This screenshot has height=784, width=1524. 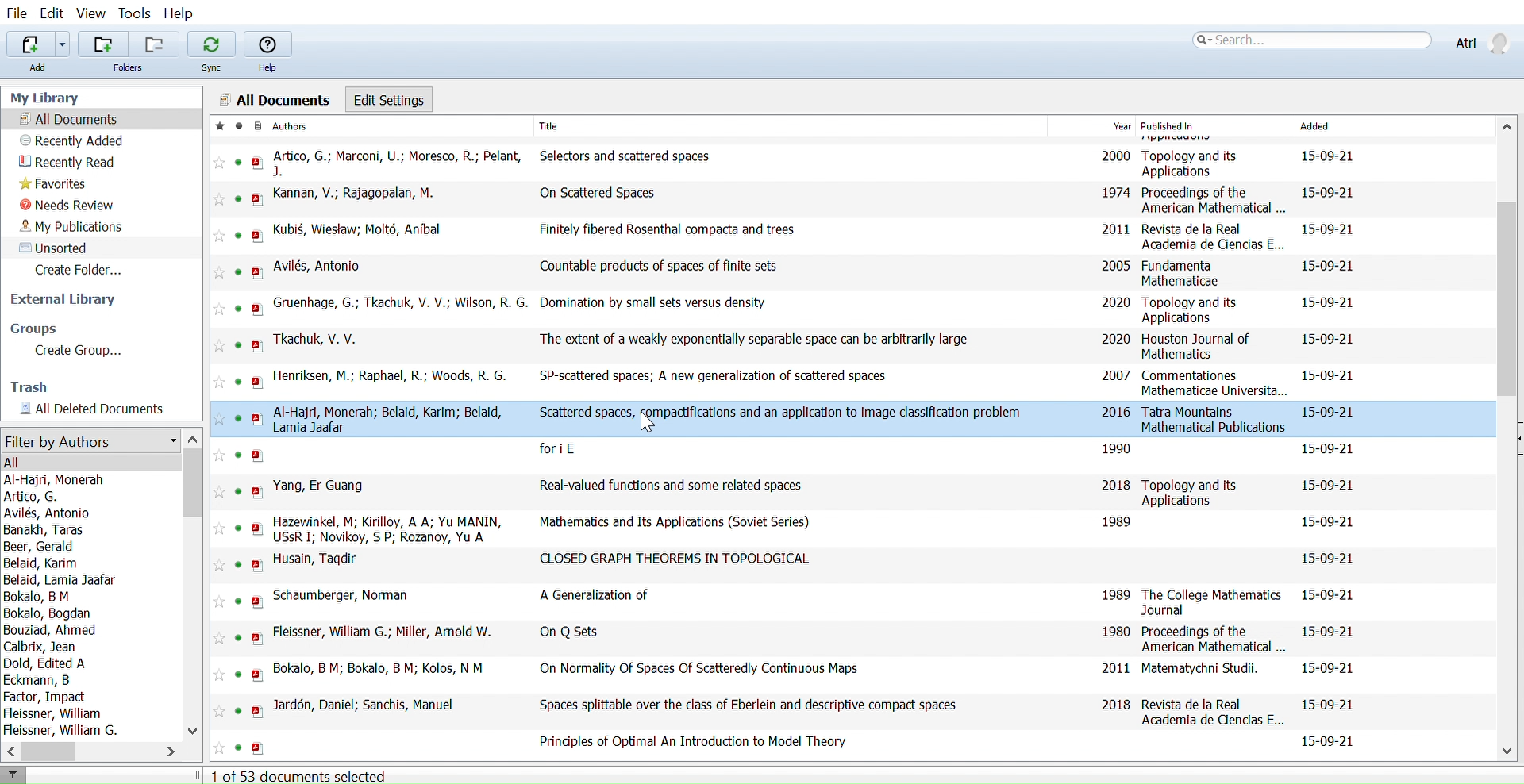 I want to click on reading status, so click(x=237, y=637).